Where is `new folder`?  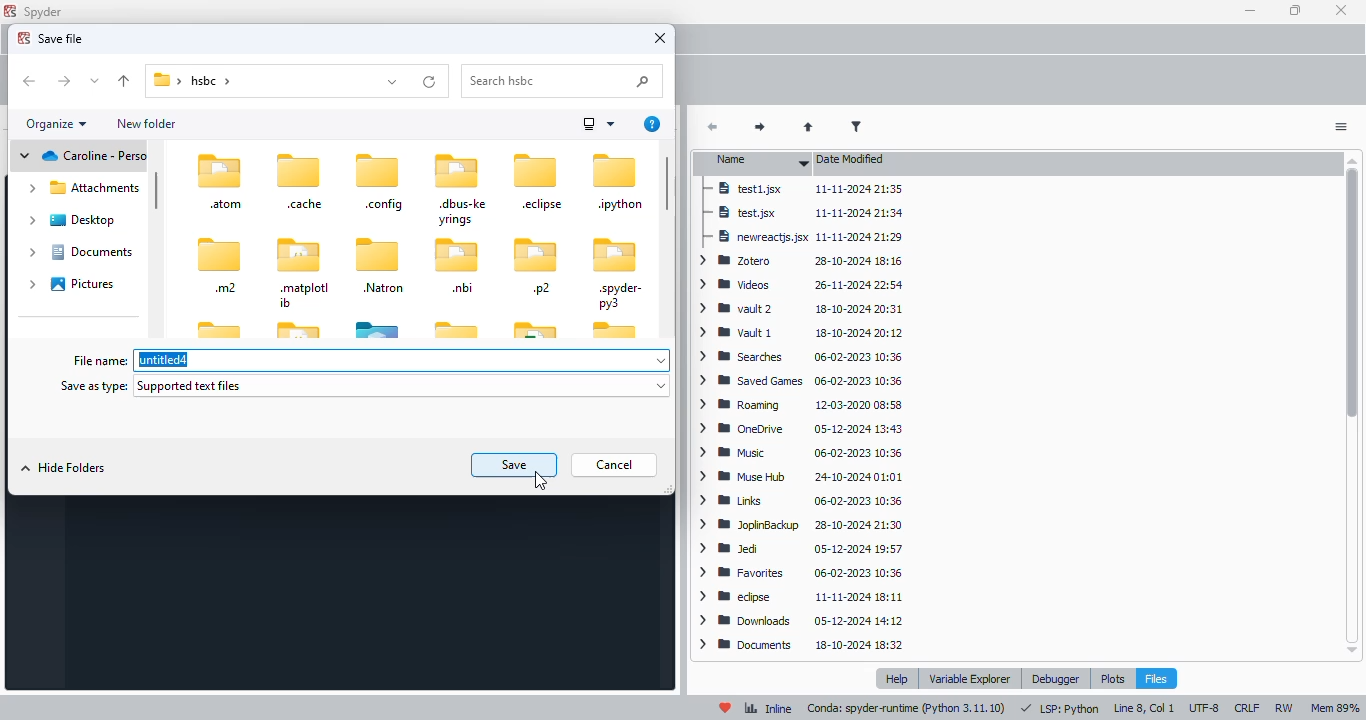
new folder is located at coordinates (147, 123).